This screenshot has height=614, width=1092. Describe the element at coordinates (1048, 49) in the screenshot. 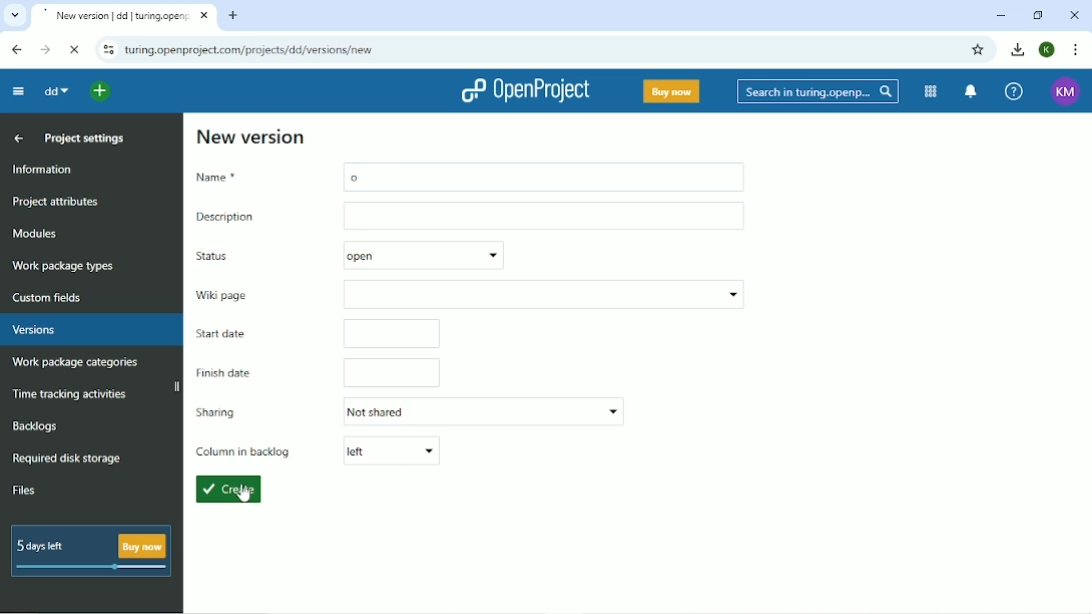

I see `Account` at that location.